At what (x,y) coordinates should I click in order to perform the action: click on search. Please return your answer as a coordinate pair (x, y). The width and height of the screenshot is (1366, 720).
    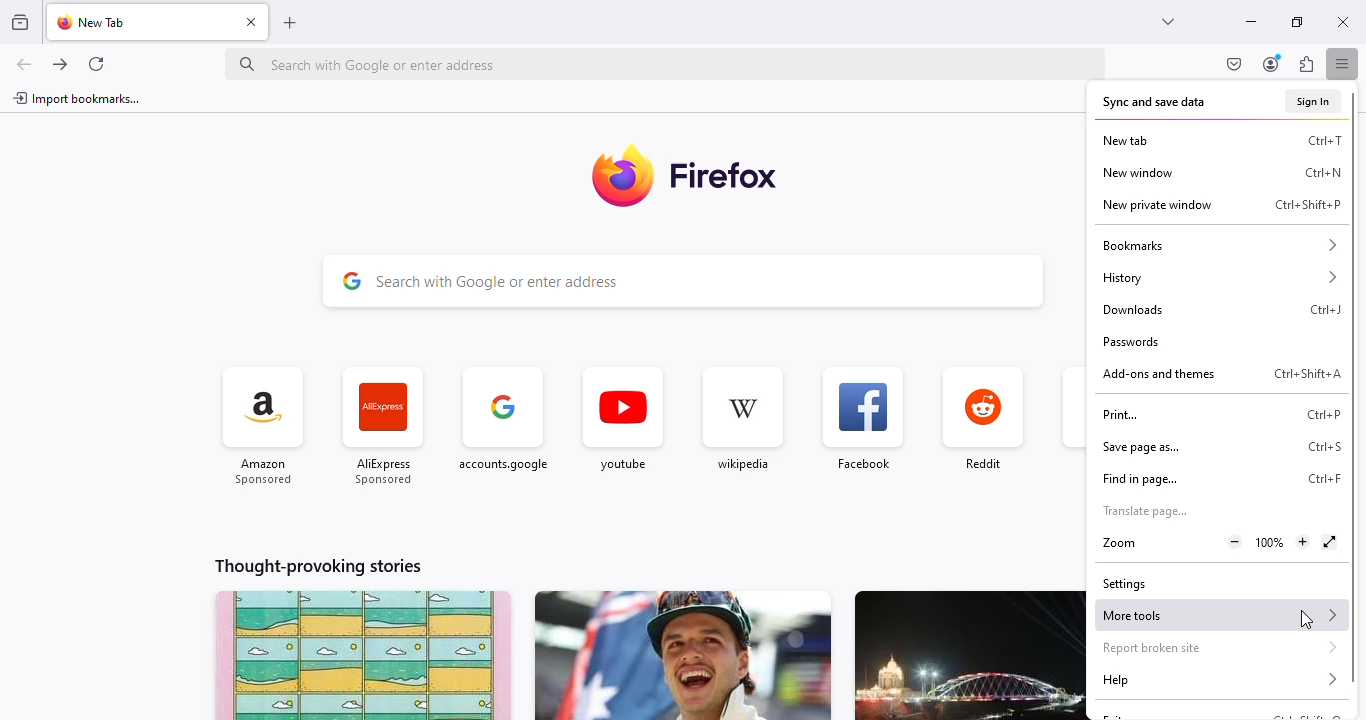
    Looking at the image, I should click on (666, 63).